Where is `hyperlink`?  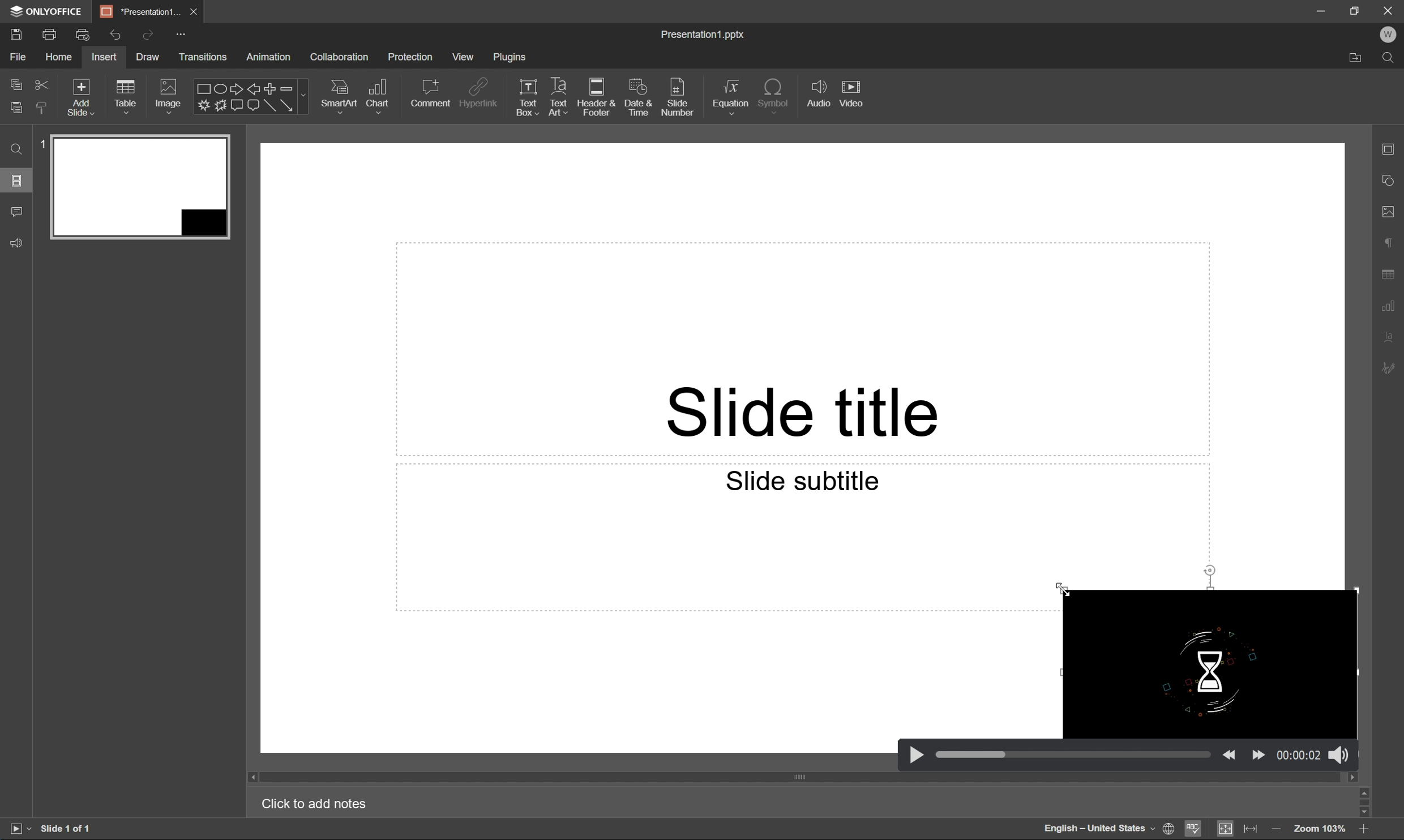
hyperlink is located at coordinates (483, 92).